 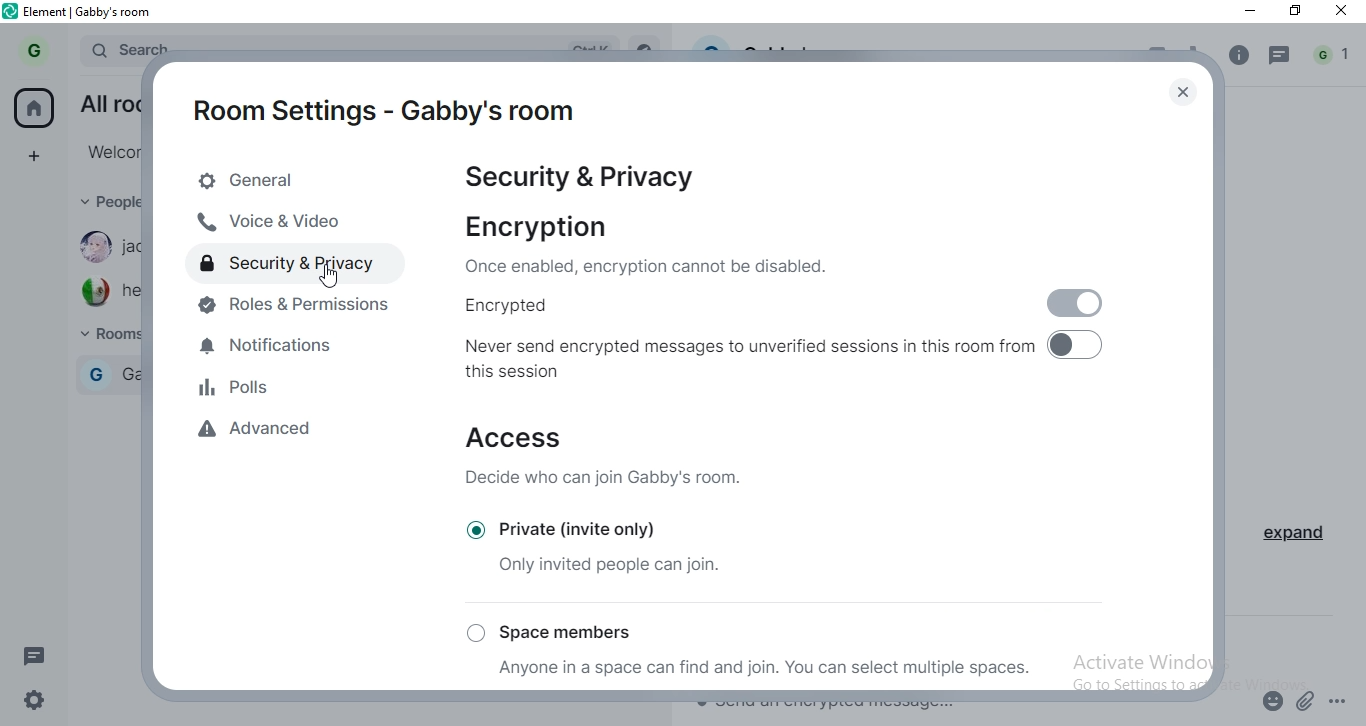 What do you see at coordinates (1340, 697) in the screenshot?
I see `options` at bounding box center [1340, 697].